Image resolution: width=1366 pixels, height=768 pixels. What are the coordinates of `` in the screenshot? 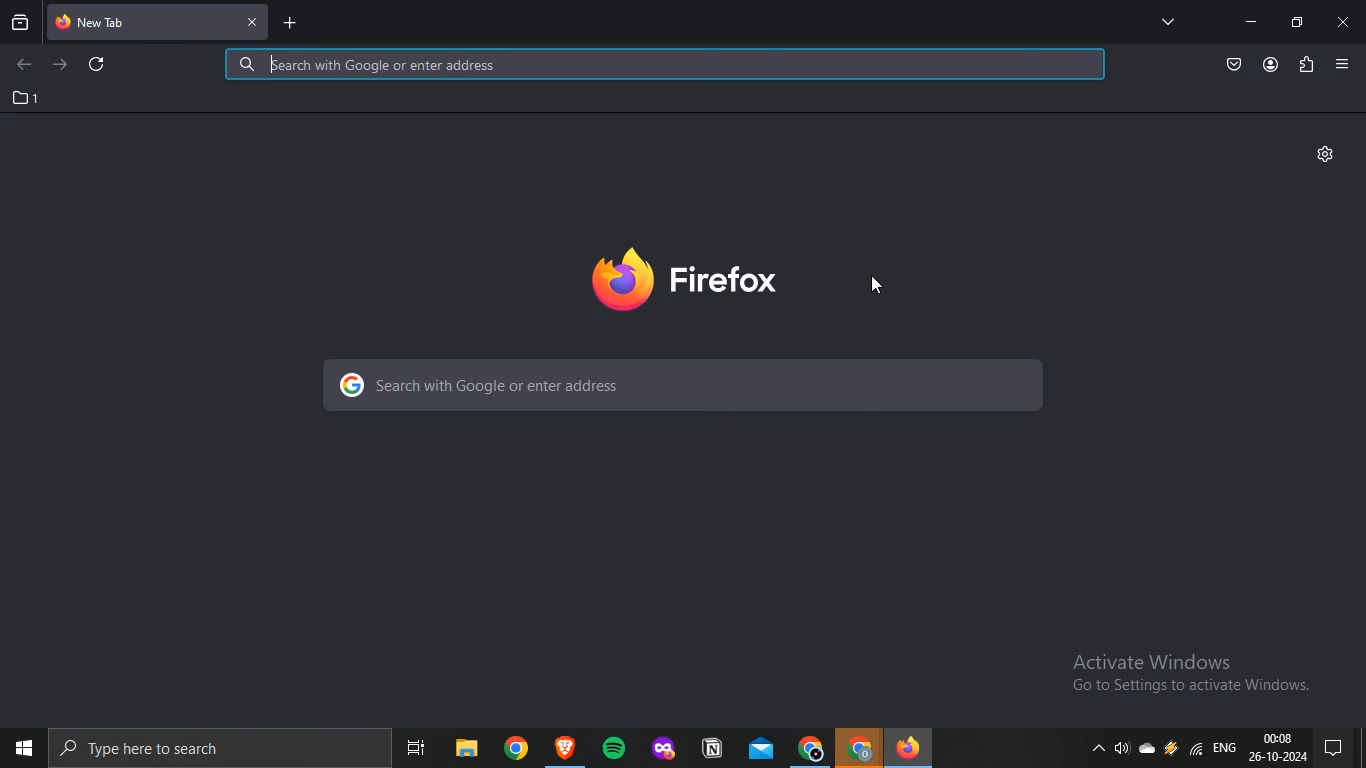 It's located at (1341, 64).